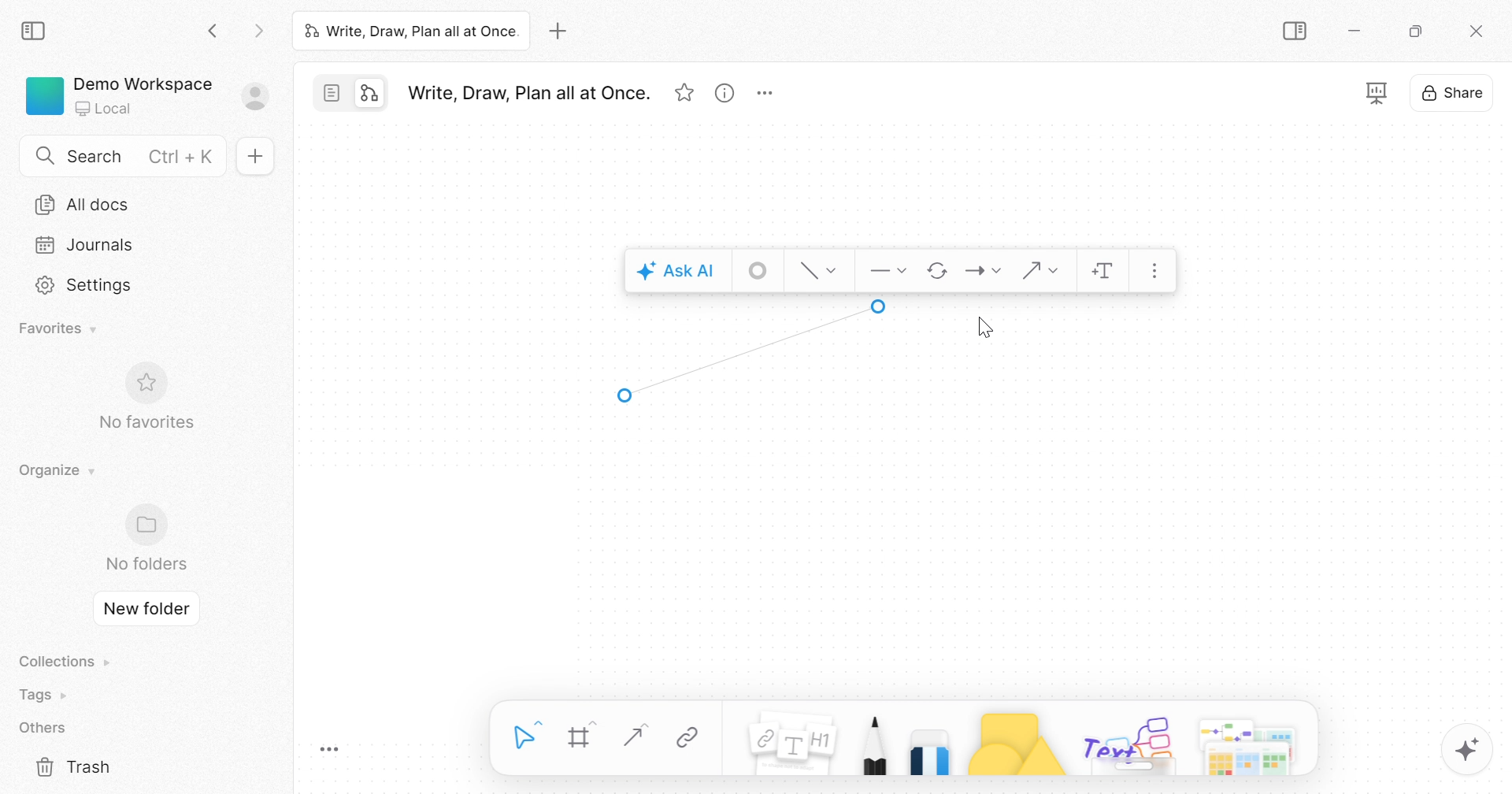 This screenshot has height=794, width=1512. Describe the element at coordinates (988, 329) in the screenshot. I see `Cursor` at that location.